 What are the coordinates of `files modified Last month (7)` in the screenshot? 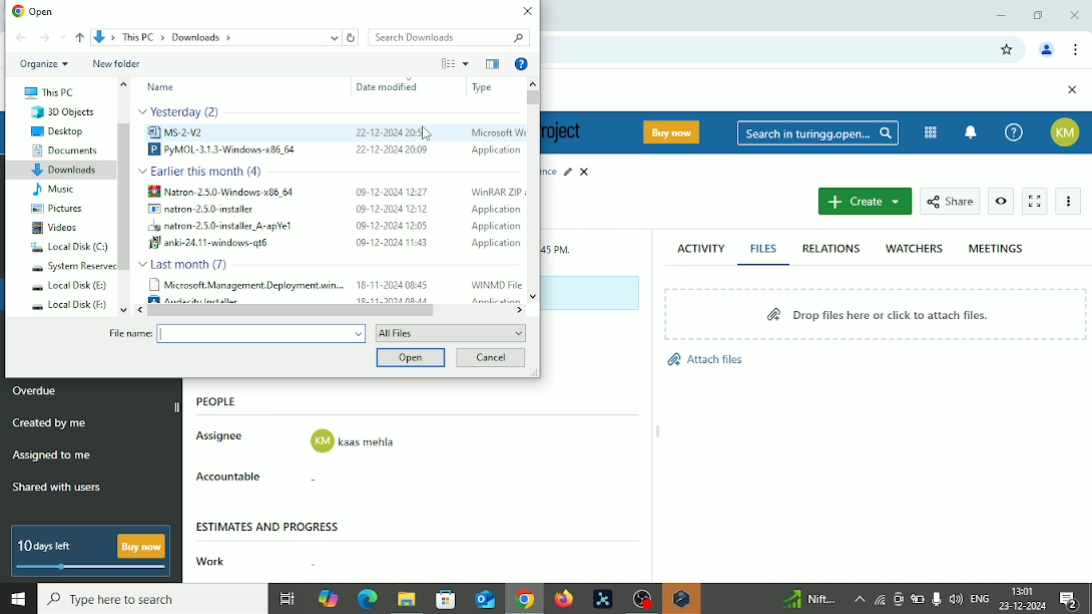 It's located at (188, 264).